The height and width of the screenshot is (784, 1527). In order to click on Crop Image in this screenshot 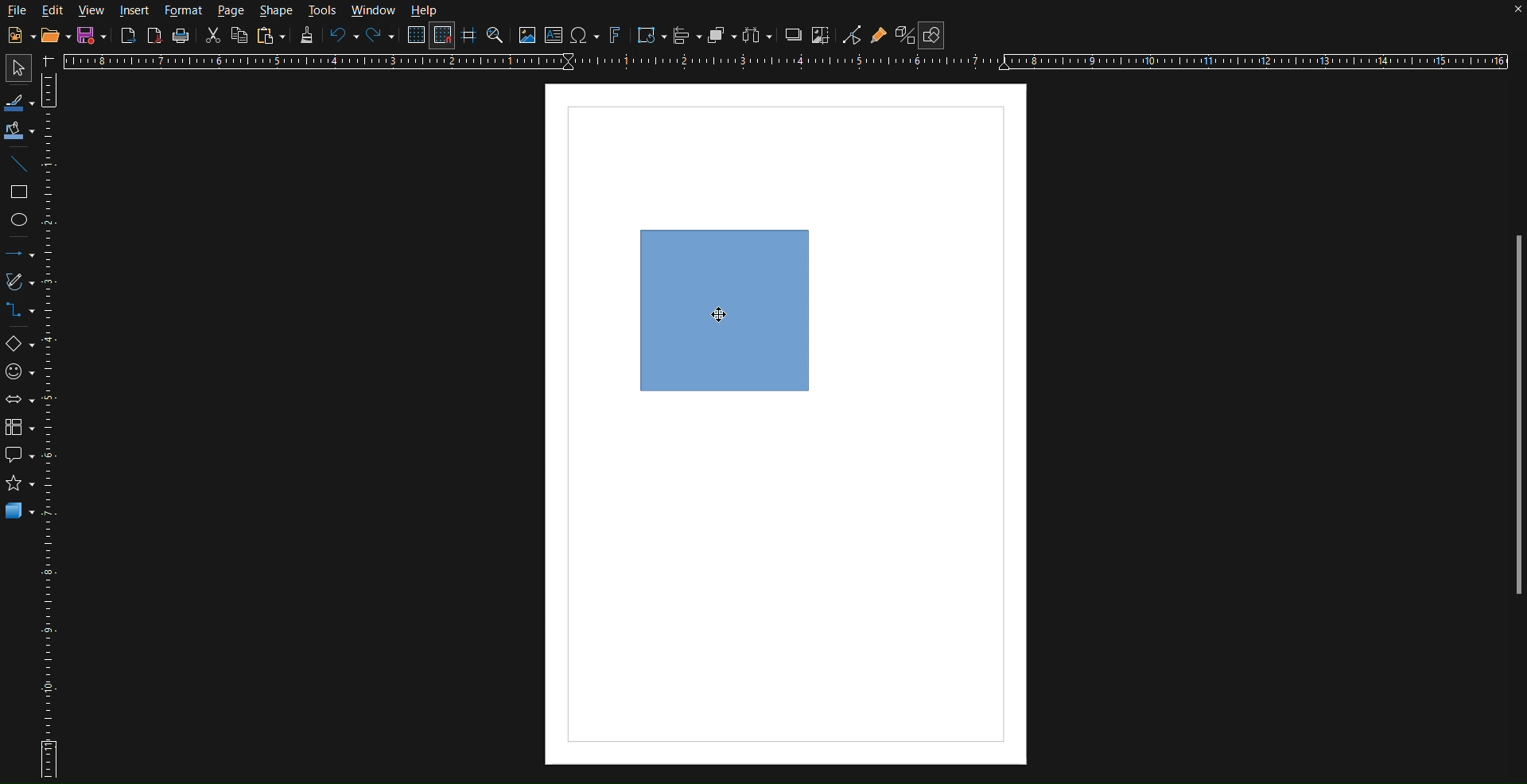, I will do `click(822, 37)`.